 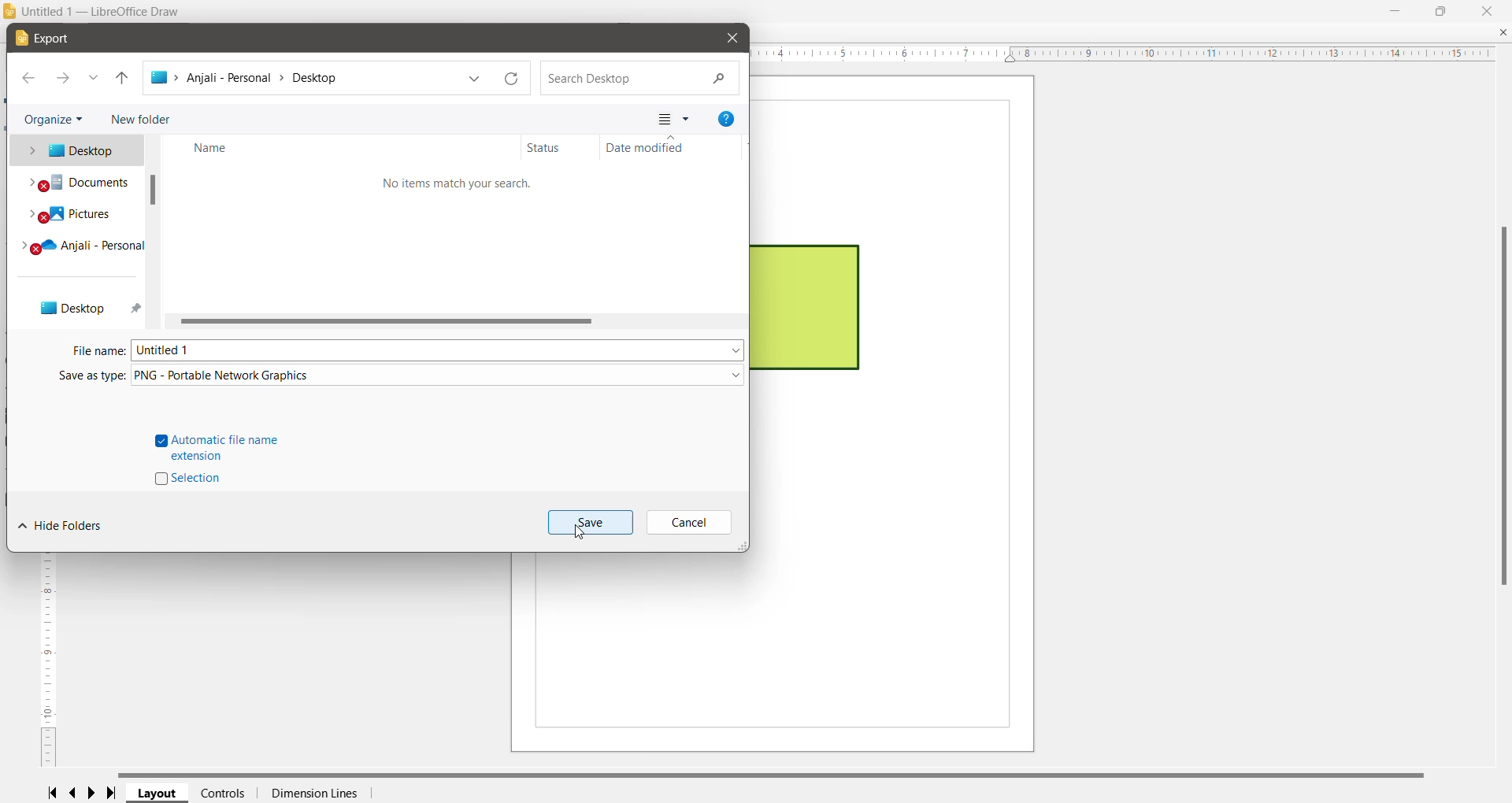 I want to click on Export, so click(x=50, y=39).